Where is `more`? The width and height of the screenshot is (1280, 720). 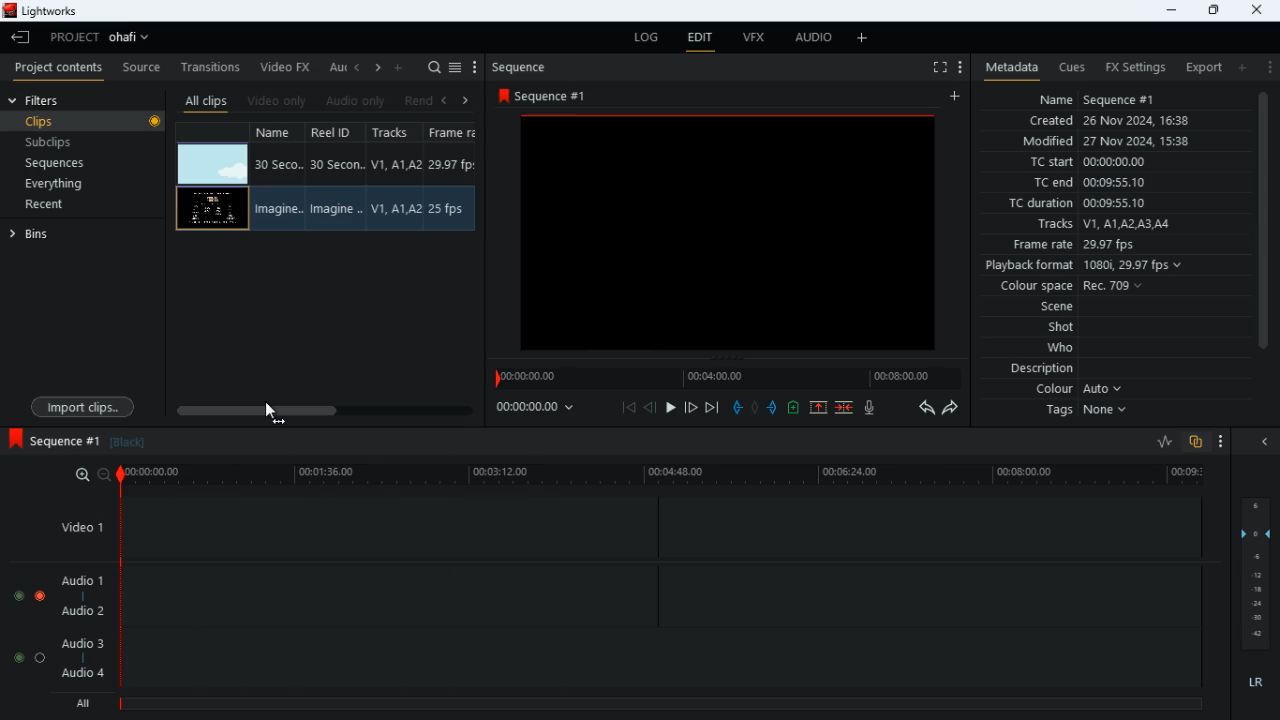 more is located at coordinates (399, 67).